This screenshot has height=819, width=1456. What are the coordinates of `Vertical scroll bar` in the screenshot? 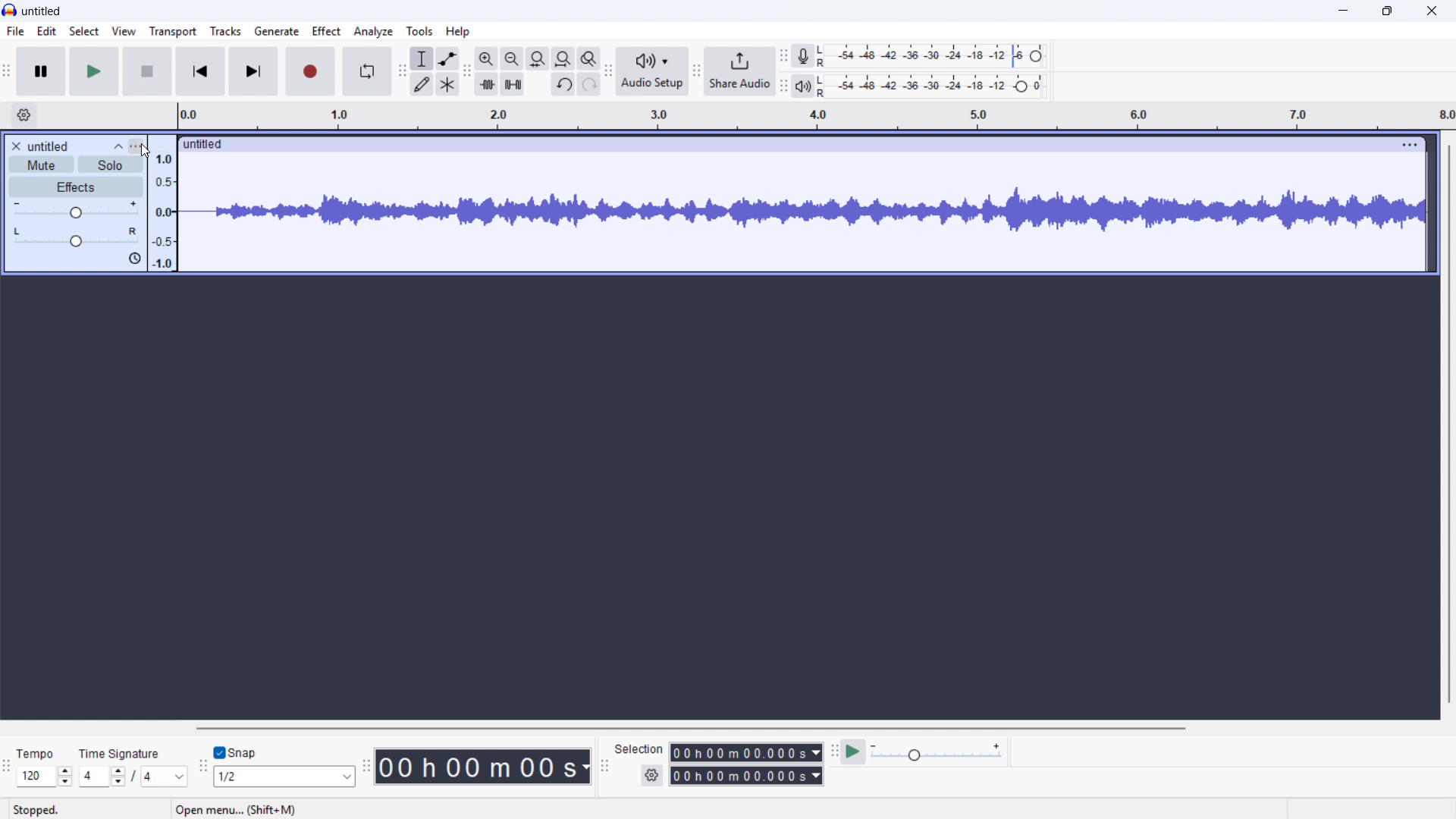 It's located at (1448, 422).